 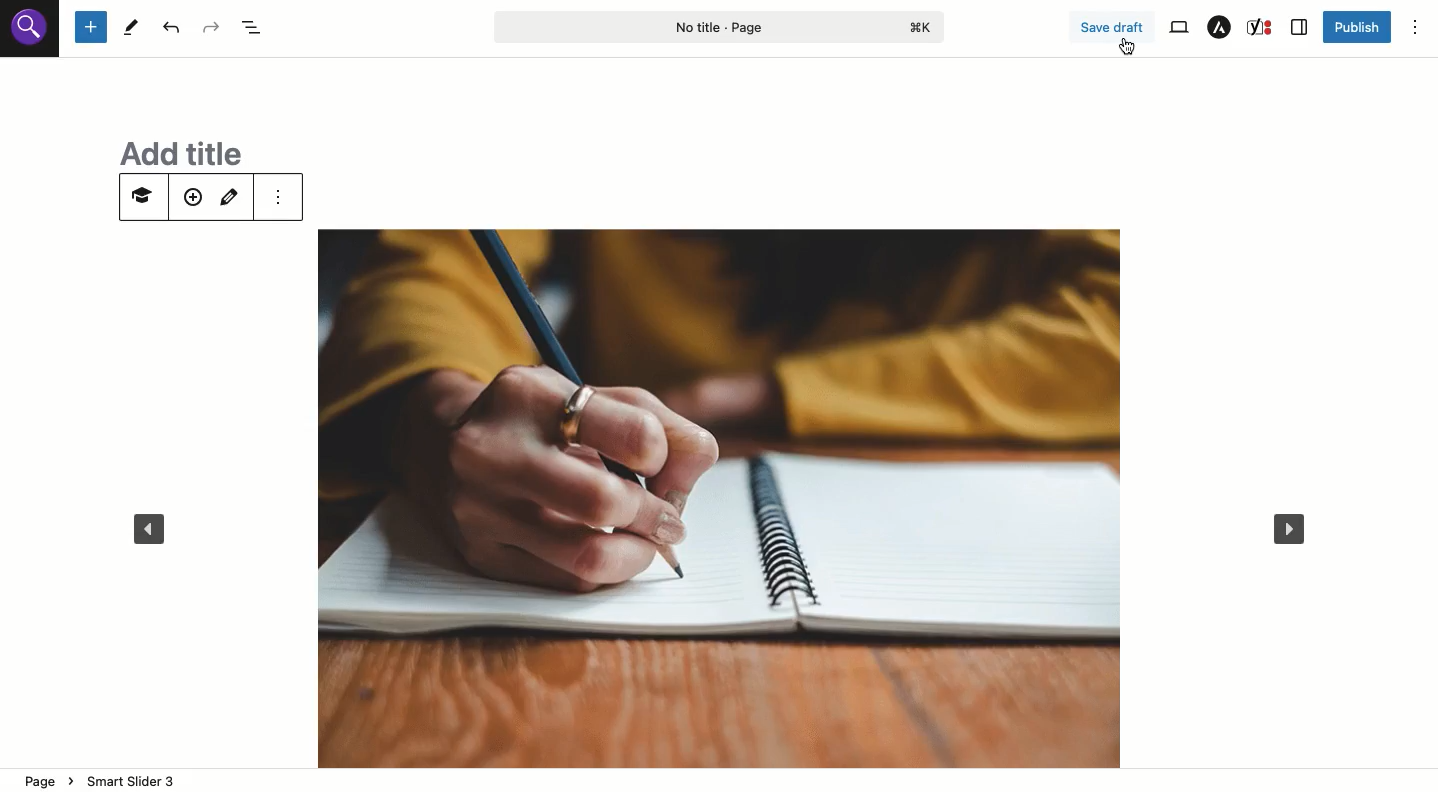 What do you see at coordinates (148, 531) in the screenshot?
I see `previous` at bounding box center [148, 531].